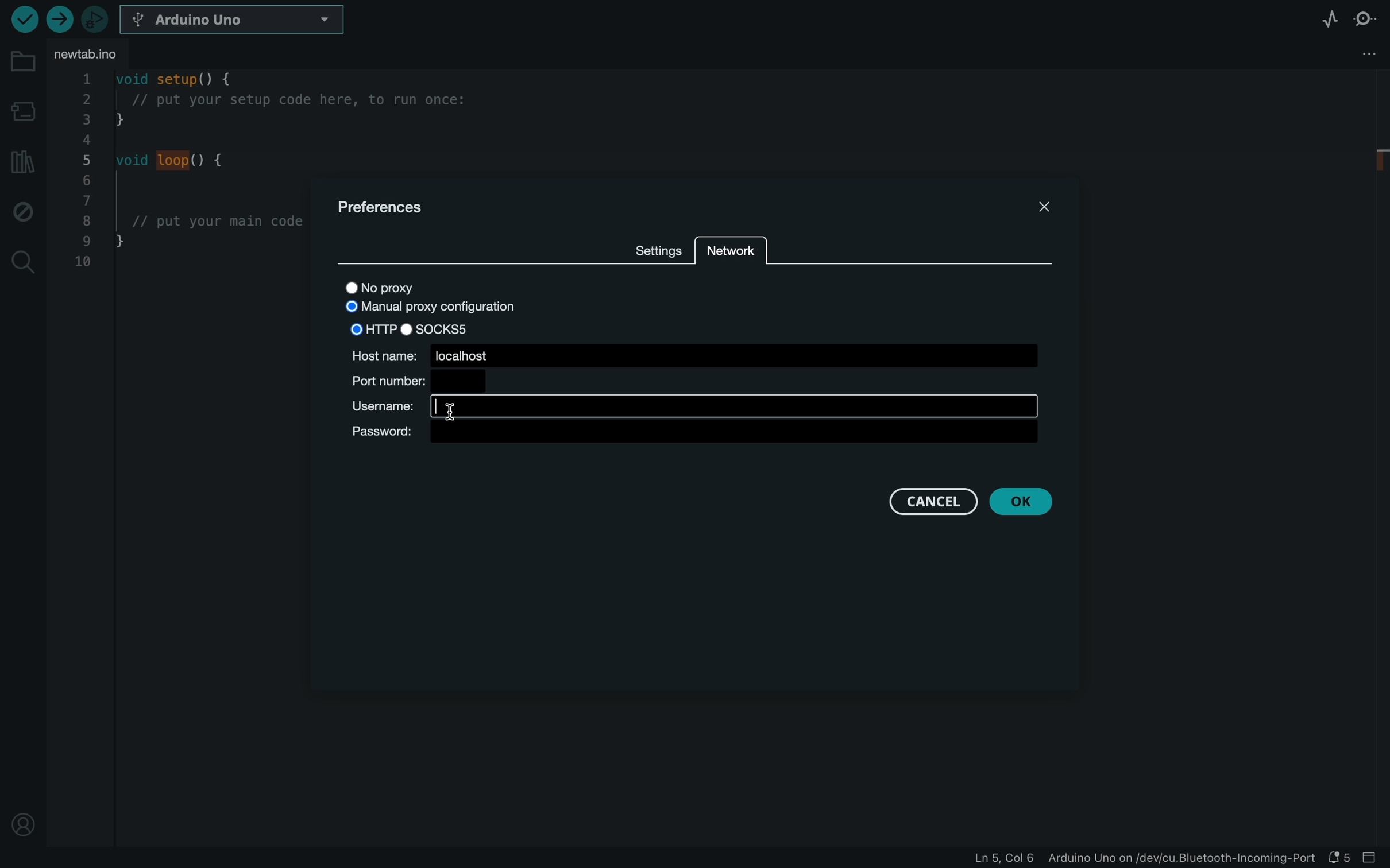 The width and height of the screenshot is (1390, 868). Describe the element at coordinates (23, 262) in the screenshot. I see `search` at that location.